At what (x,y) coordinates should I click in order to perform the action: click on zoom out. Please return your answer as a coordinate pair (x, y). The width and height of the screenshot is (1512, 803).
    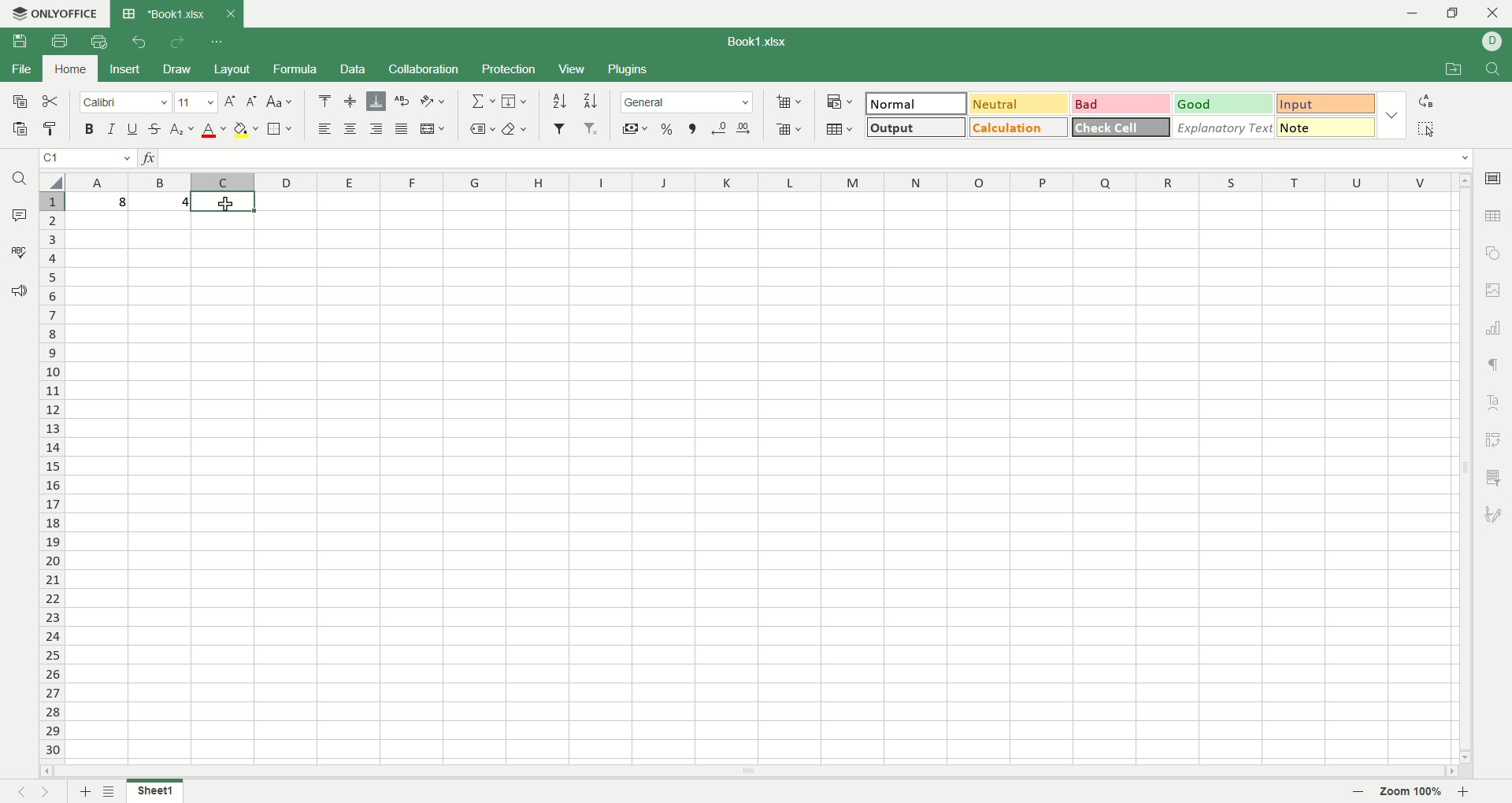
    Looking at the image, I should click on (1359, 792).